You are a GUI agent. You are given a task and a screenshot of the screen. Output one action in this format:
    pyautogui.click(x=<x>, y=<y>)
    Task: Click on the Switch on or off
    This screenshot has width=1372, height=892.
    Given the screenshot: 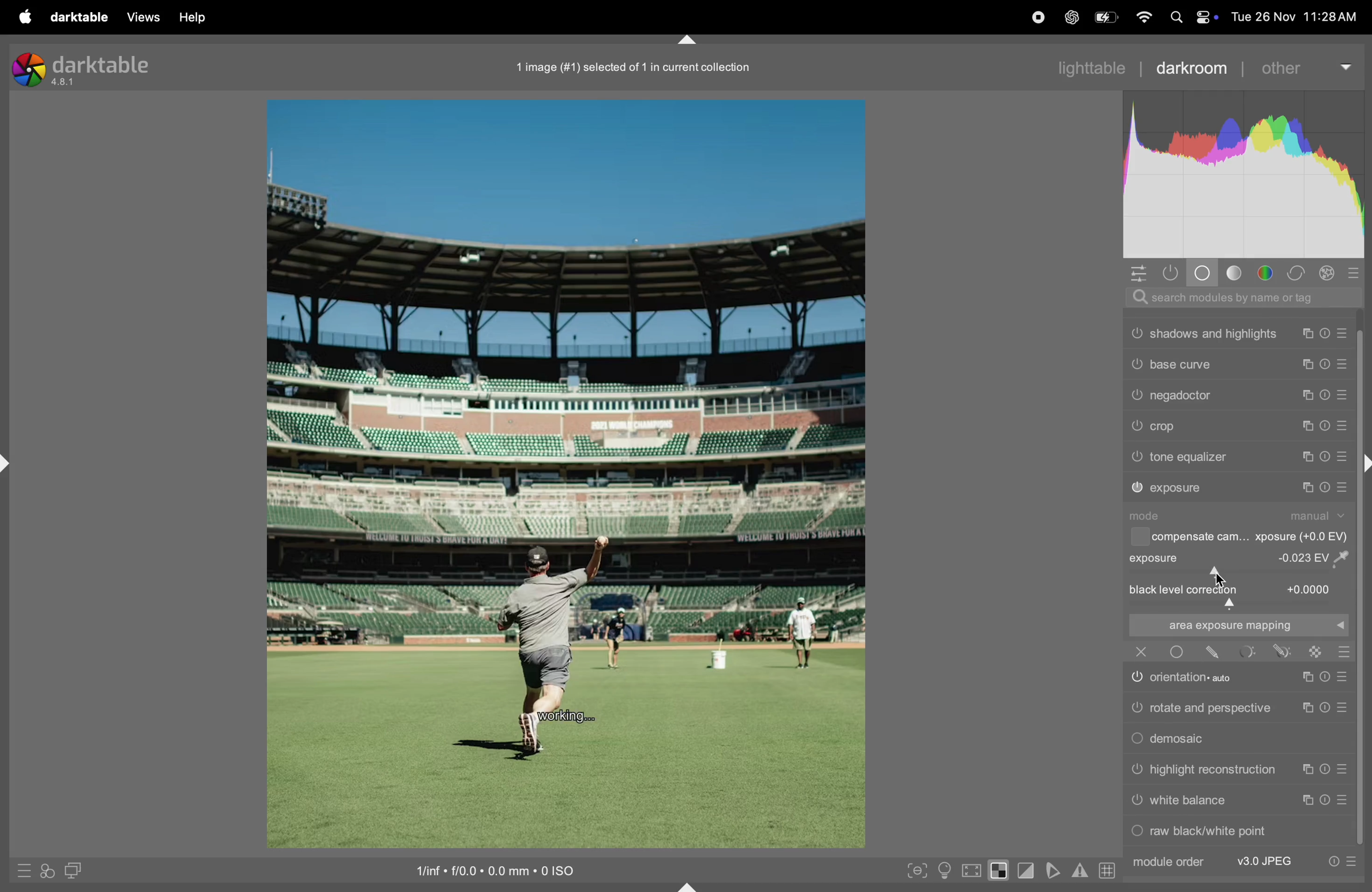 What is the action you would take?
    pyautogui.click(x=1136, y=833)
    